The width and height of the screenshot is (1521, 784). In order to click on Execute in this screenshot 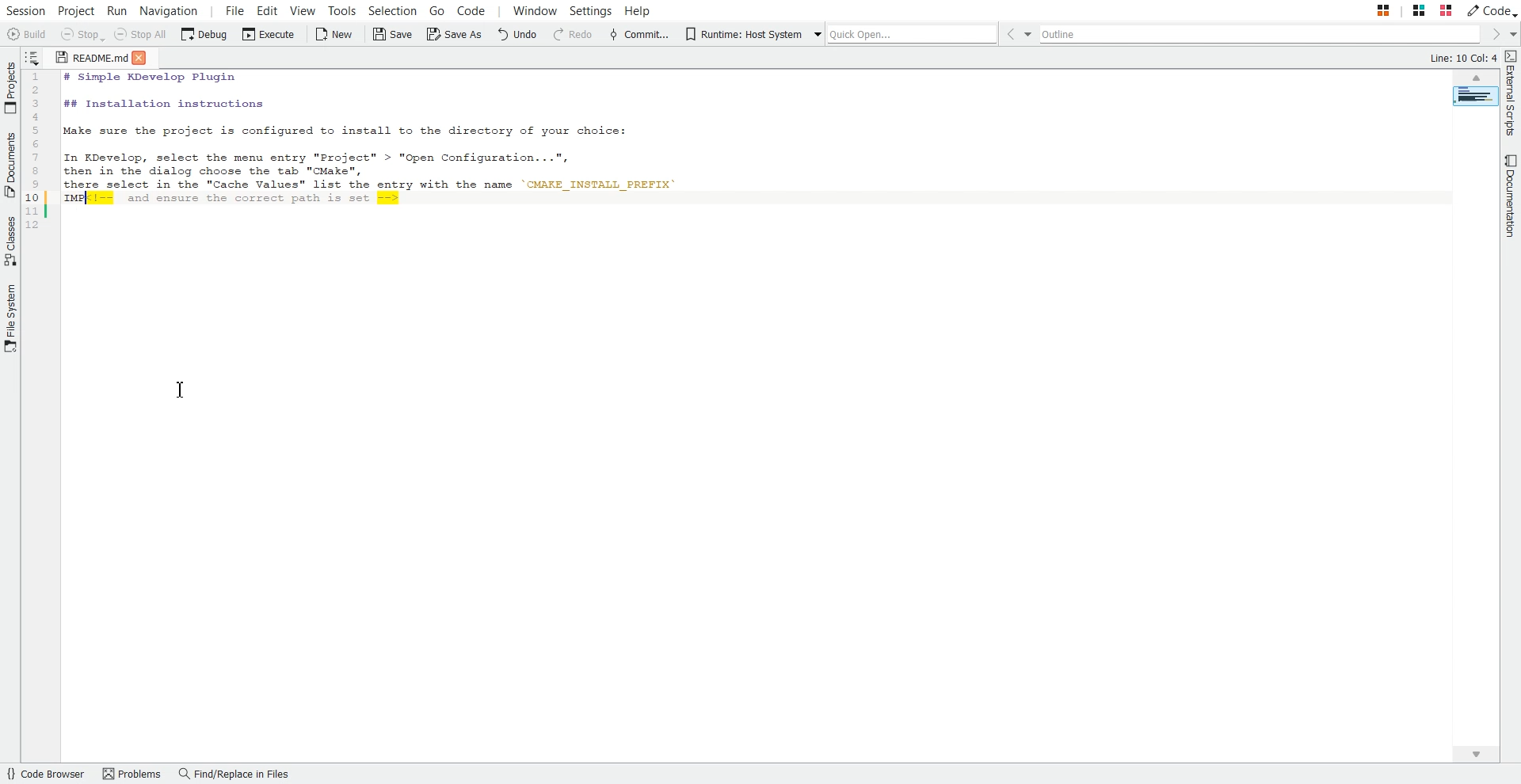, I will do `click(269, 35)`.